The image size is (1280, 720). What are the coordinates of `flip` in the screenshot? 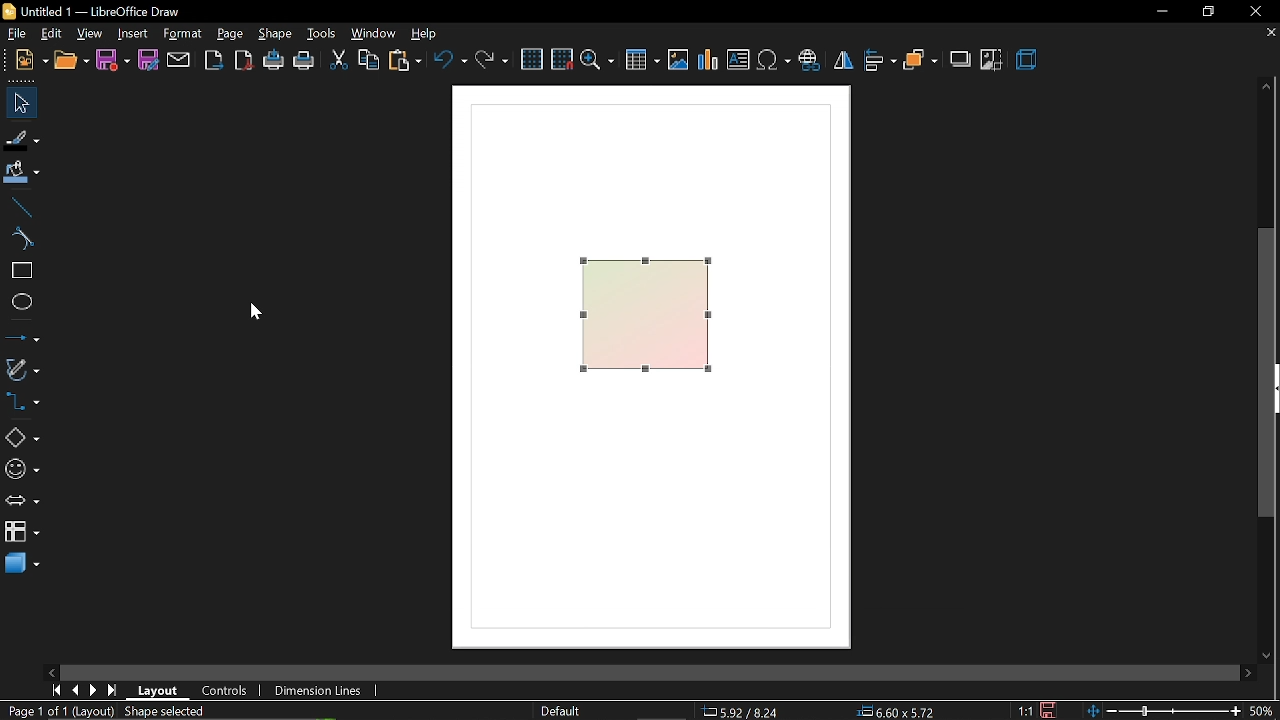 It's located at (845, 63).